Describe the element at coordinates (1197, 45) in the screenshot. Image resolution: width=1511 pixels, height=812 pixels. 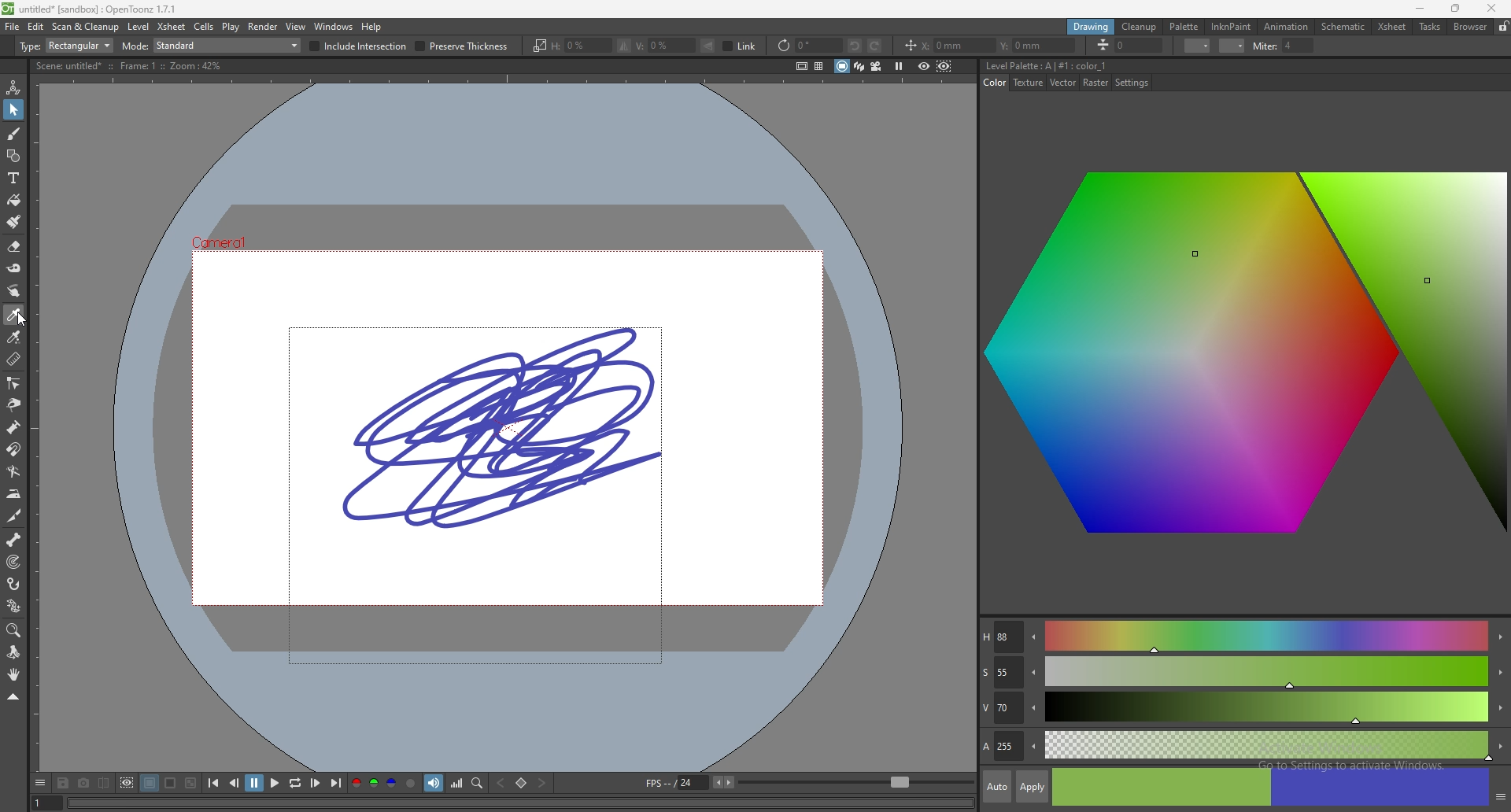
I see `cap` at that location.